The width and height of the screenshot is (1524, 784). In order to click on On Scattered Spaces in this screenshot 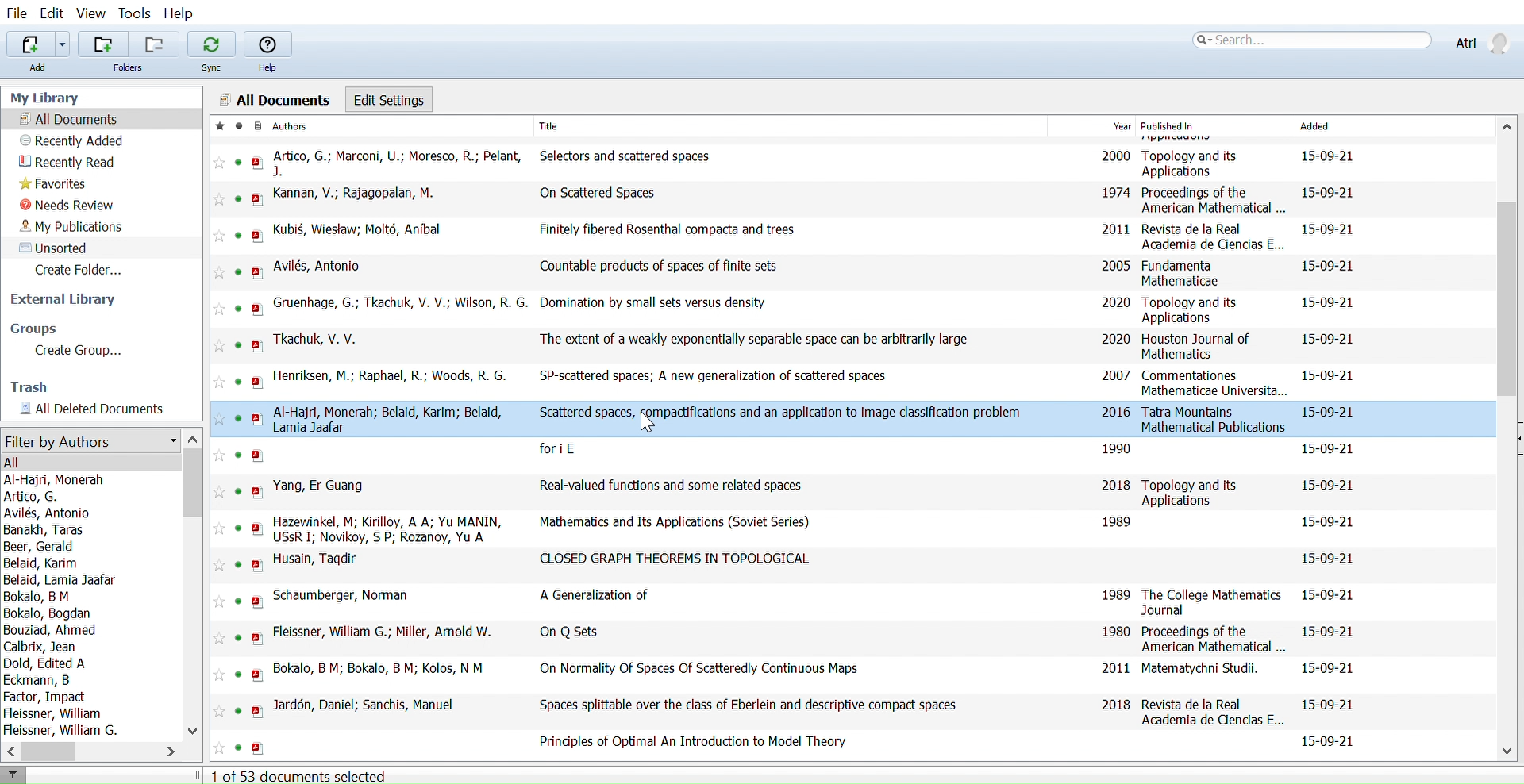, I will do `click(584, 194)`.